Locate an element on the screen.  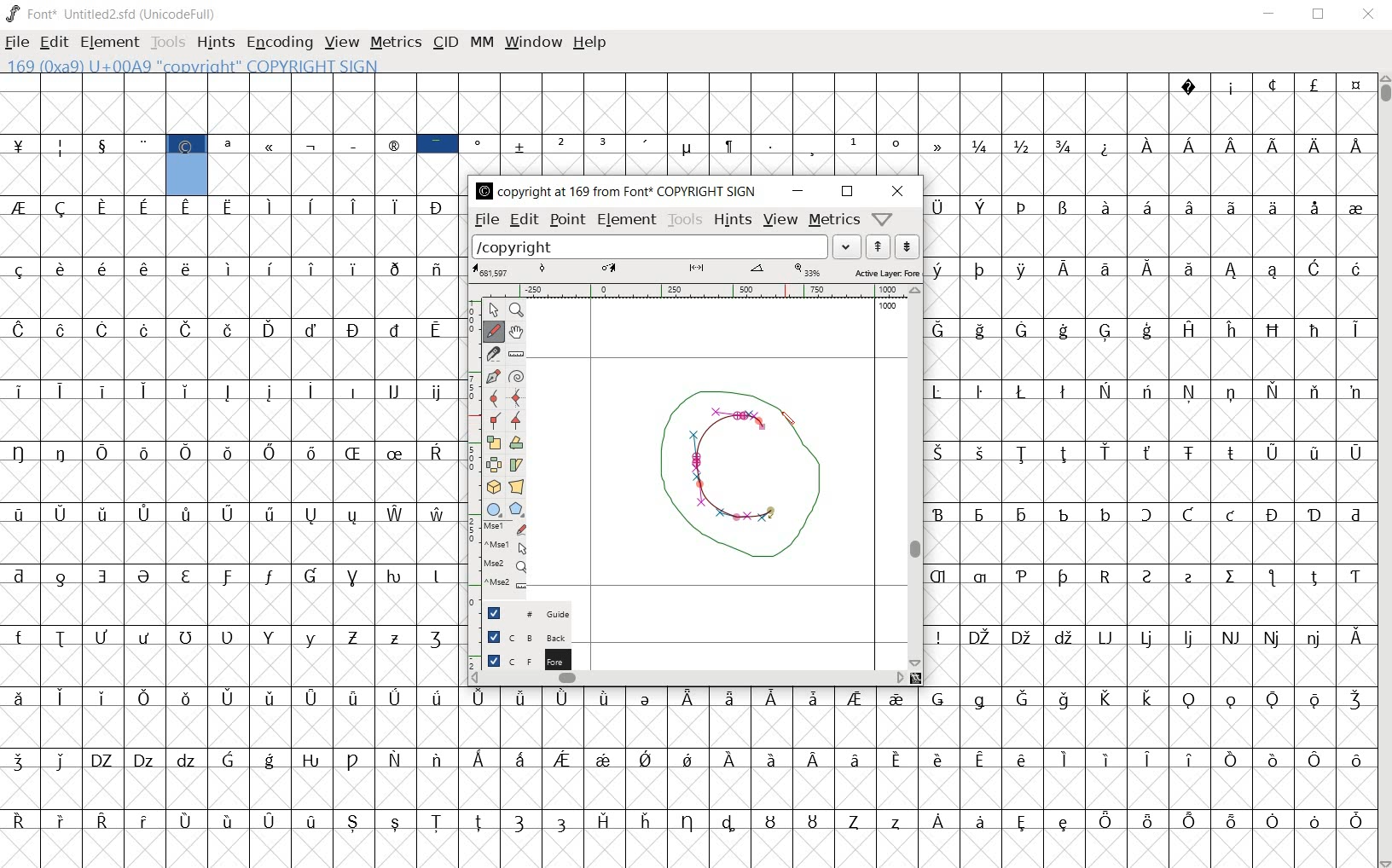
add a curve point always either horizontal or vertical is located at coordinates (519, 398).